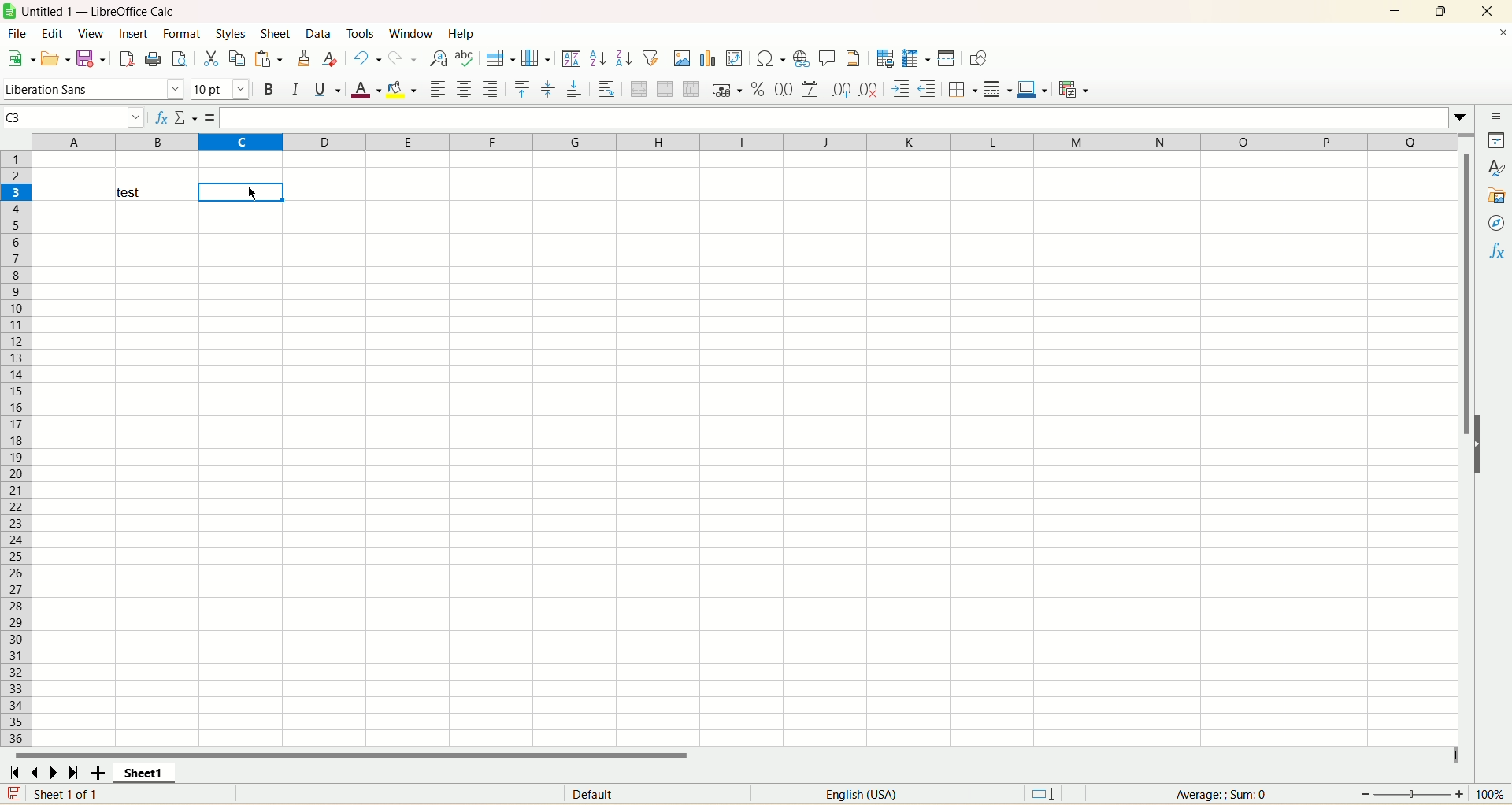 The image size is (1512, 805). Describe the element at coordinates (13, 772) in the screenshot. I see `first sheet` at that location.